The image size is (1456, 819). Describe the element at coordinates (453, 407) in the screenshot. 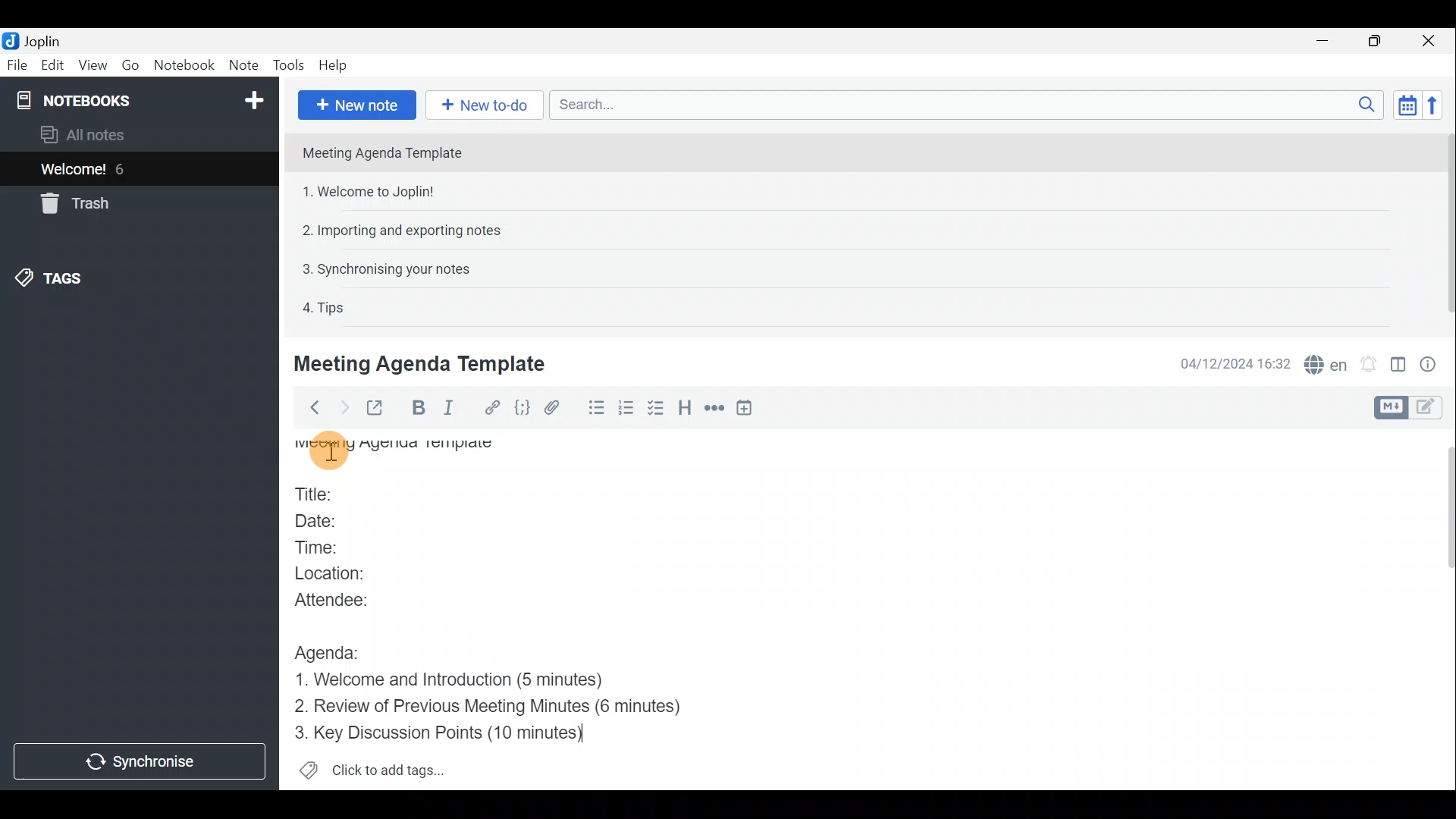

I see `Italic` at that location.